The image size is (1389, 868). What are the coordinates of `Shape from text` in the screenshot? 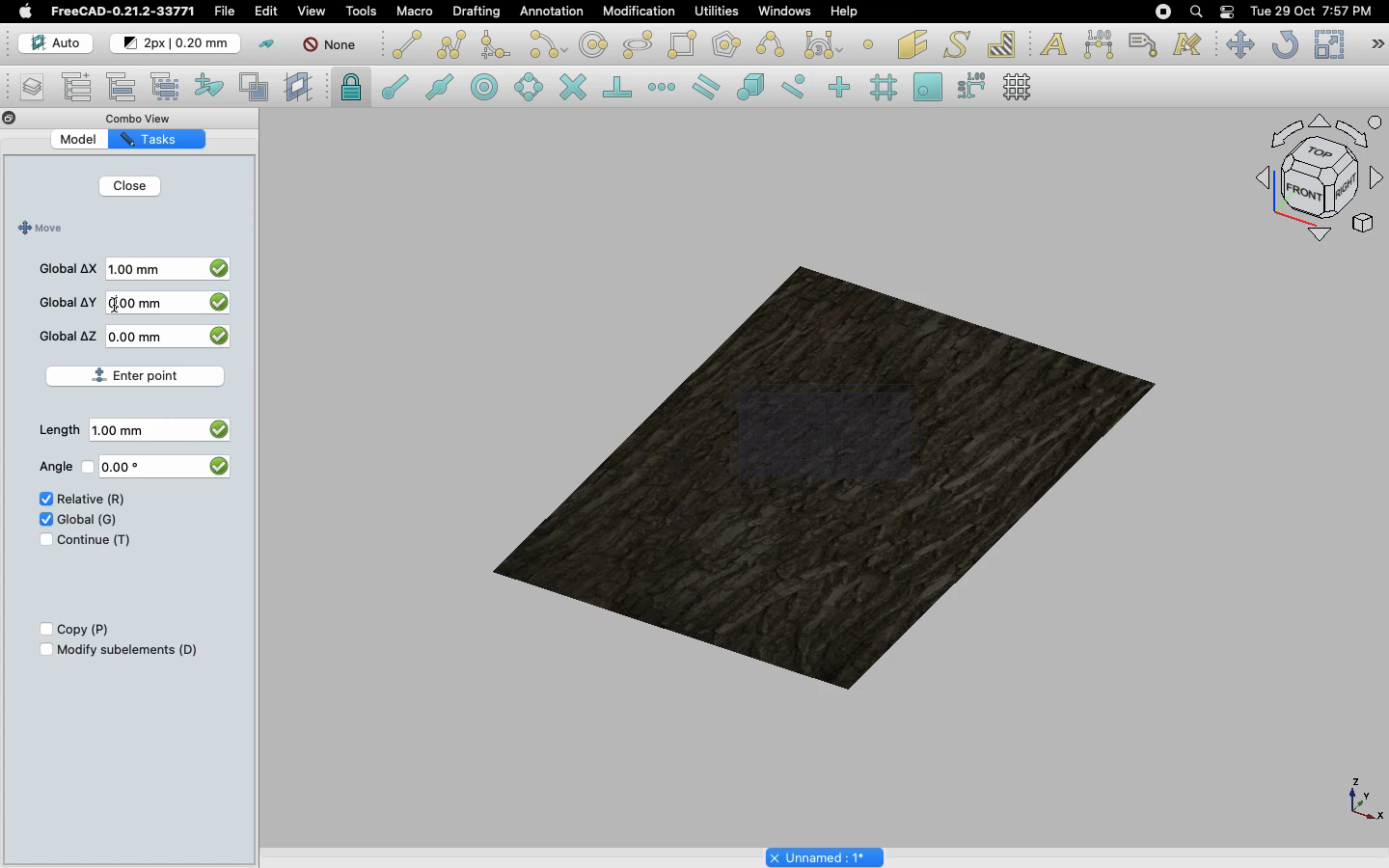 It's located at (960, 46).